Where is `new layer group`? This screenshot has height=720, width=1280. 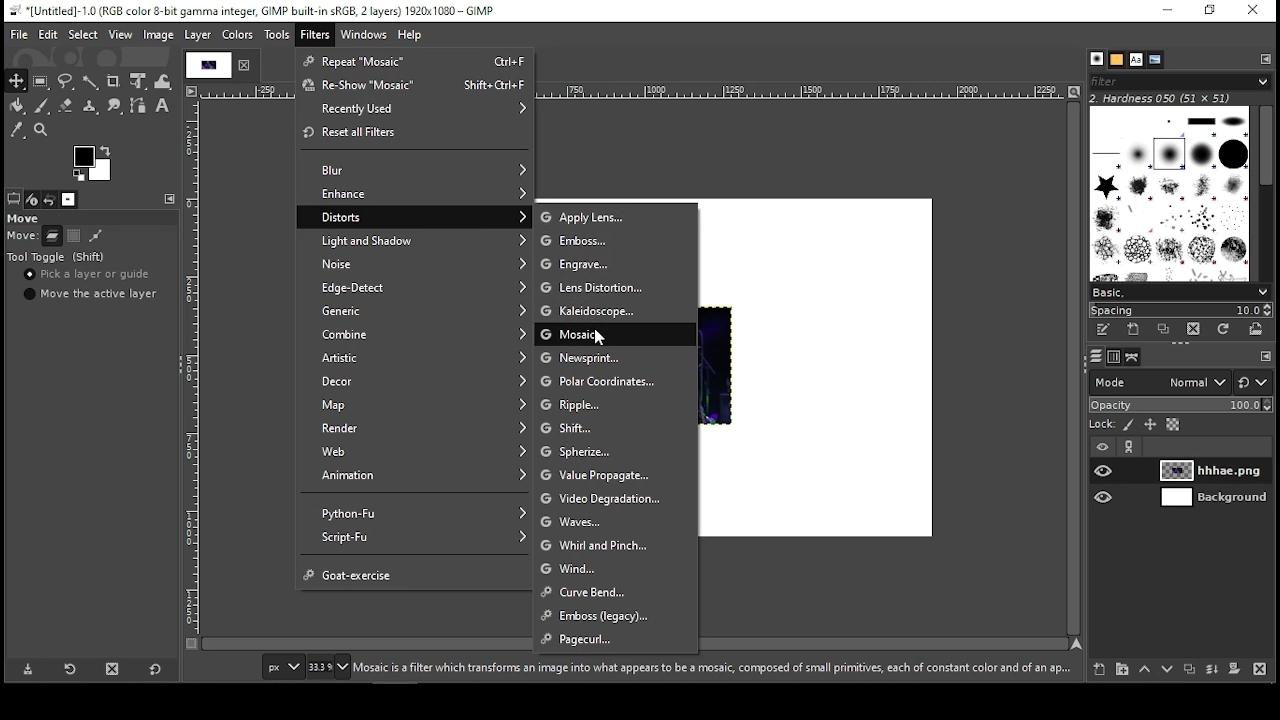 new layer group is located at coordinates (1124, 669).